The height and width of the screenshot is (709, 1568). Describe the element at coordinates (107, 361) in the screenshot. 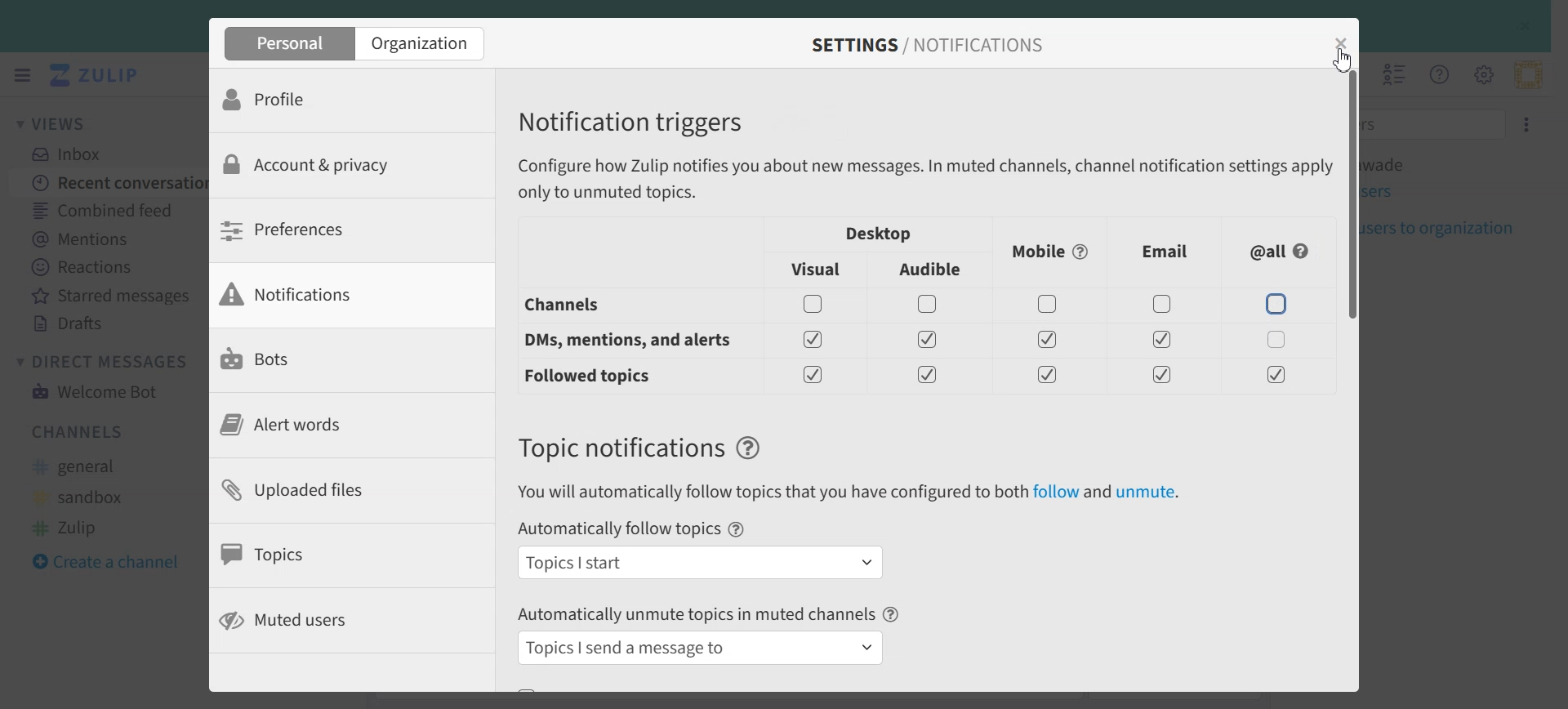

I see `Direct Messages` at that location.